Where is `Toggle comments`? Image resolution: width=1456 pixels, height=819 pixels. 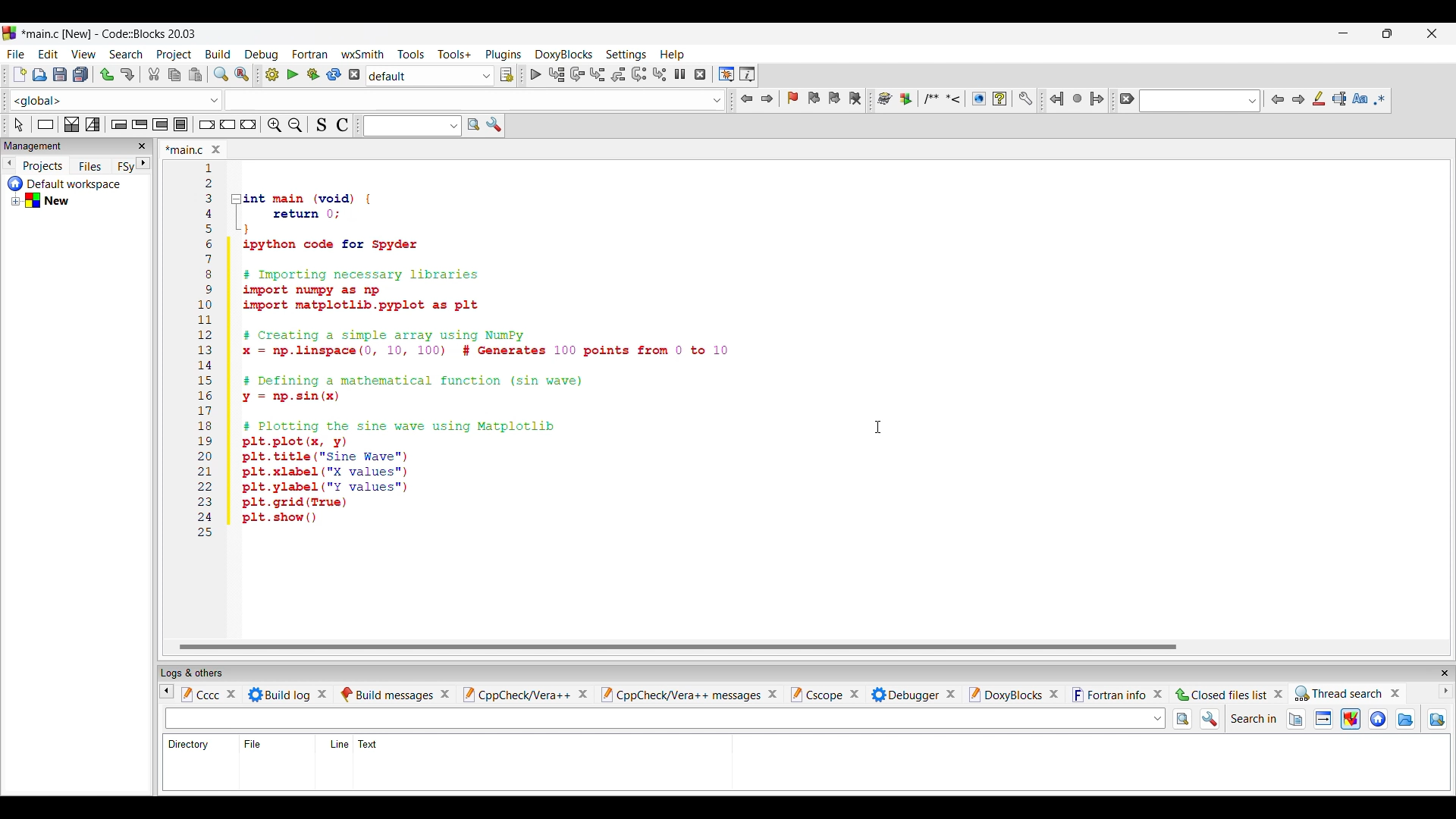 Toggle comments is located at coordinates (346, 127).